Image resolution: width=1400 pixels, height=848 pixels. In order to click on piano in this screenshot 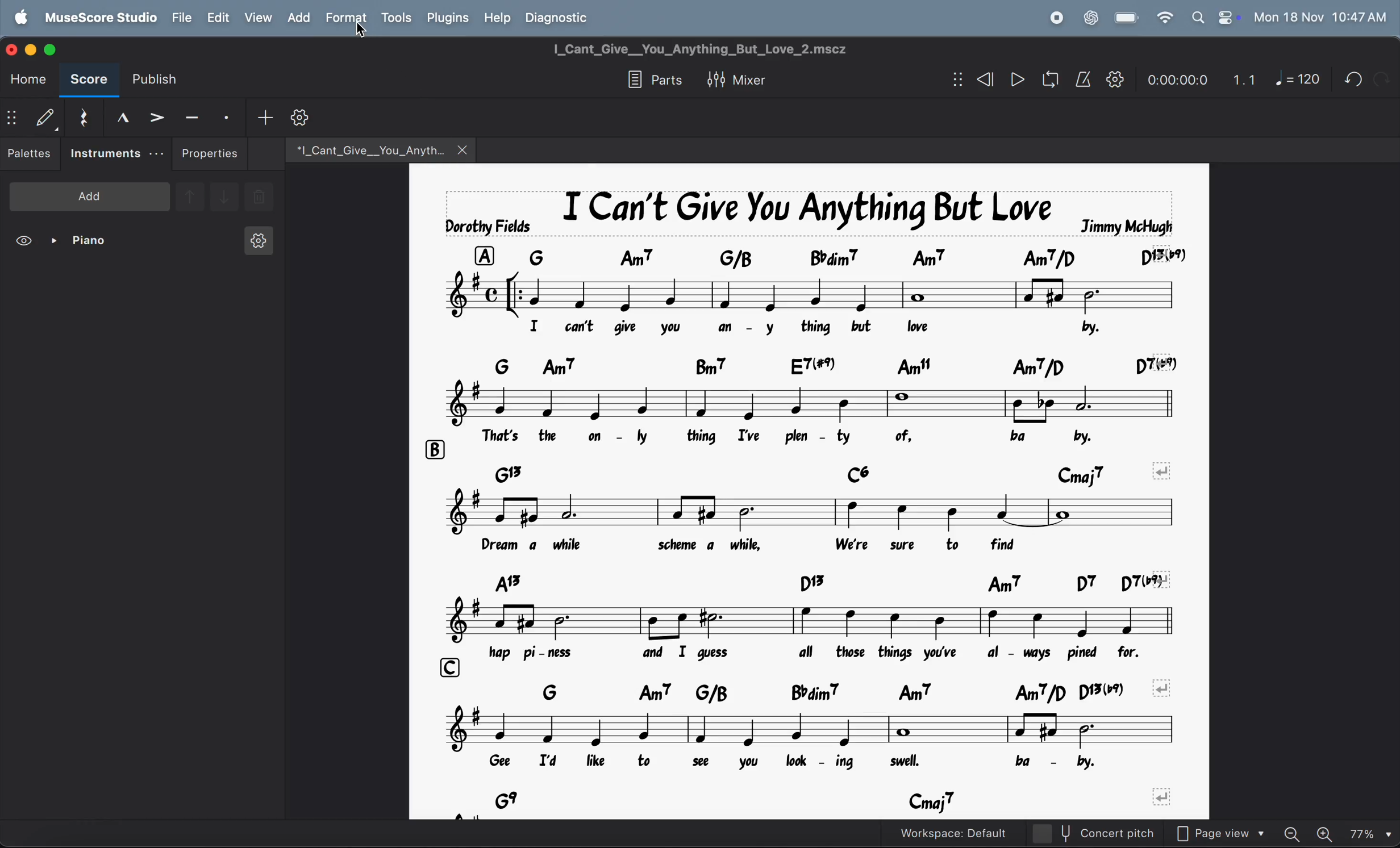, I will do `click(84, 243)`.